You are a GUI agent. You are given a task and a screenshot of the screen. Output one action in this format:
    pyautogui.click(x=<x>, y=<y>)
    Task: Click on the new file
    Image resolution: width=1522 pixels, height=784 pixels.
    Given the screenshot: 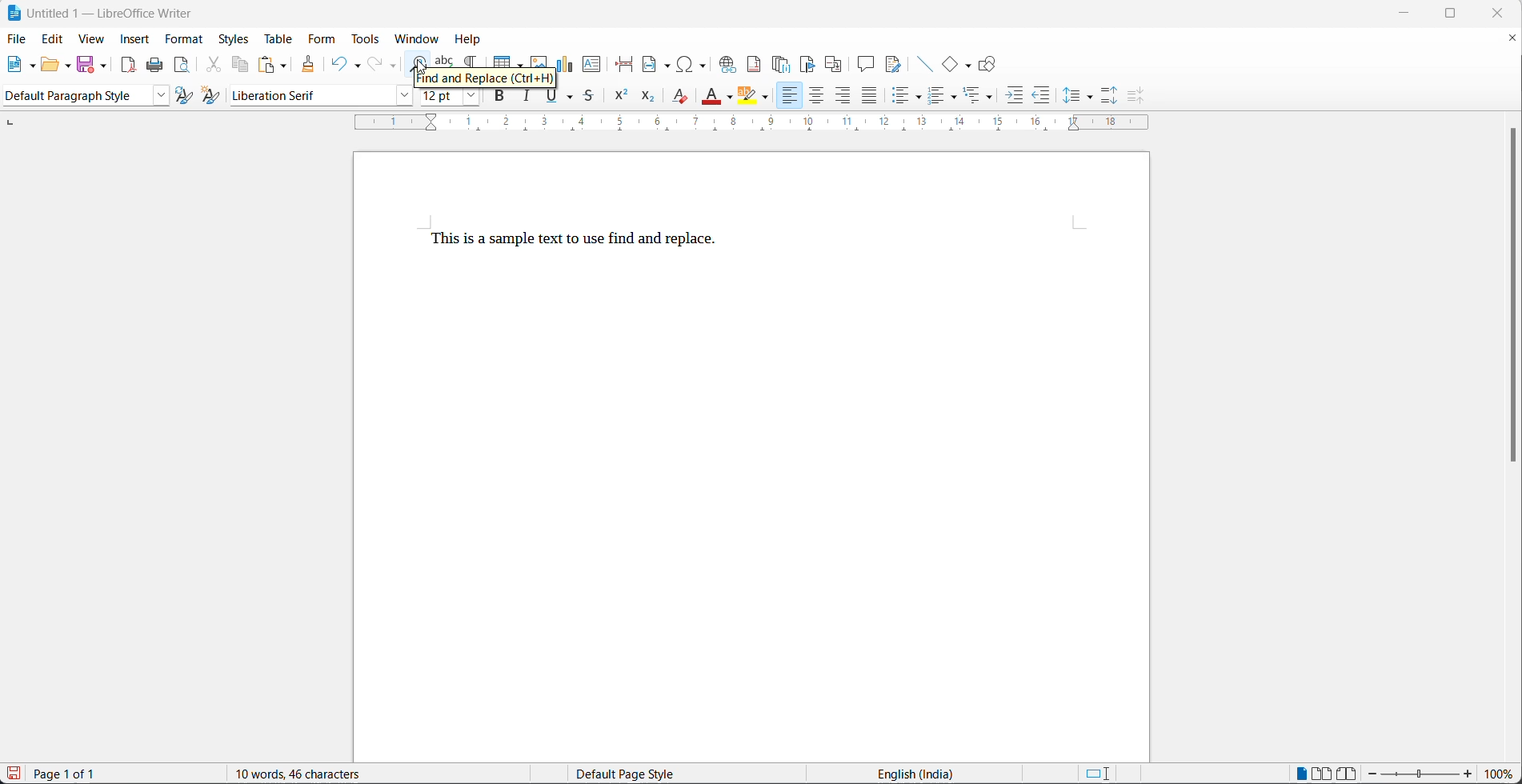 What is the action you would take?
    pyautogui.click(x=17, y=68)
    